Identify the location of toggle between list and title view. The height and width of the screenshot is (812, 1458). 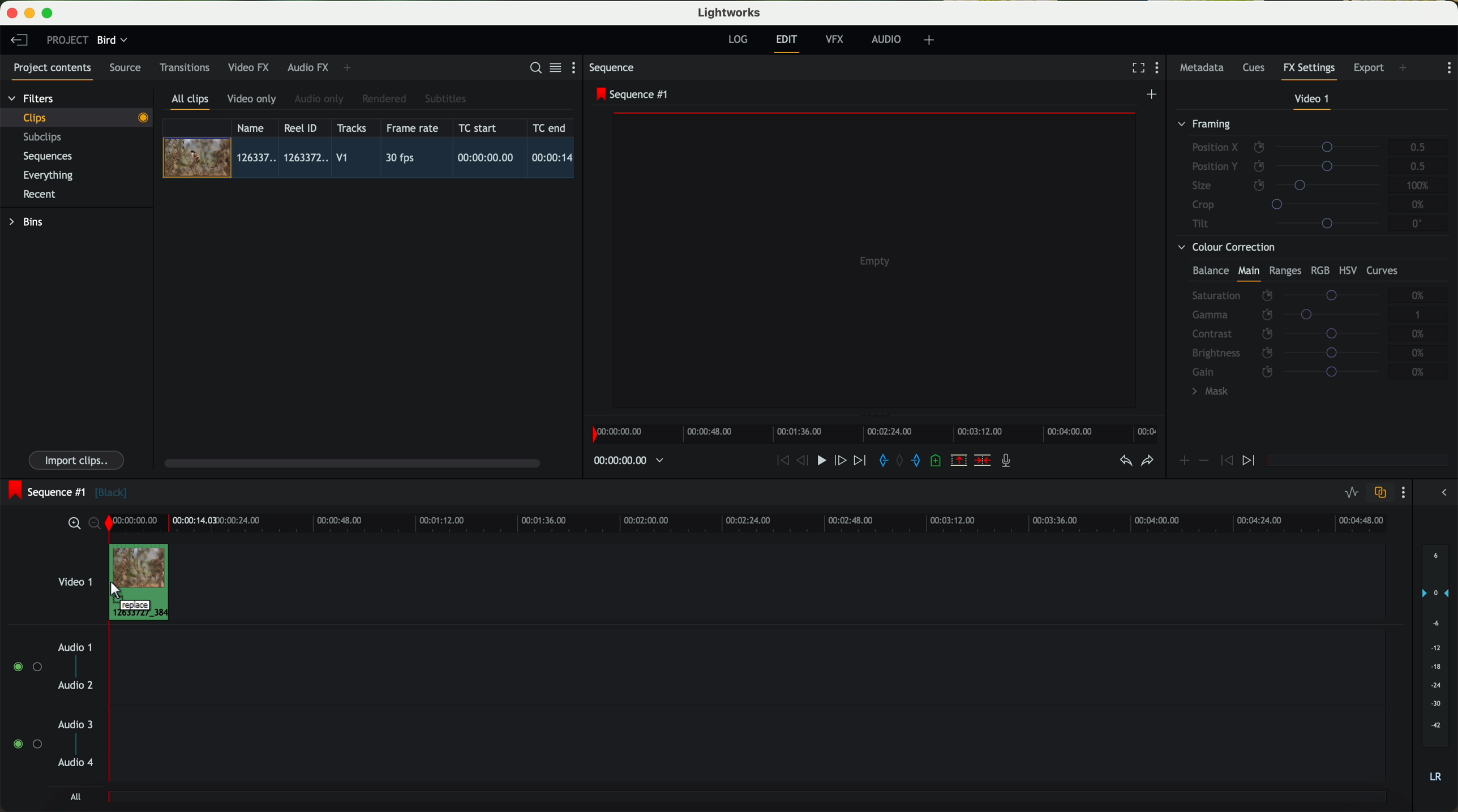
(554, 67).